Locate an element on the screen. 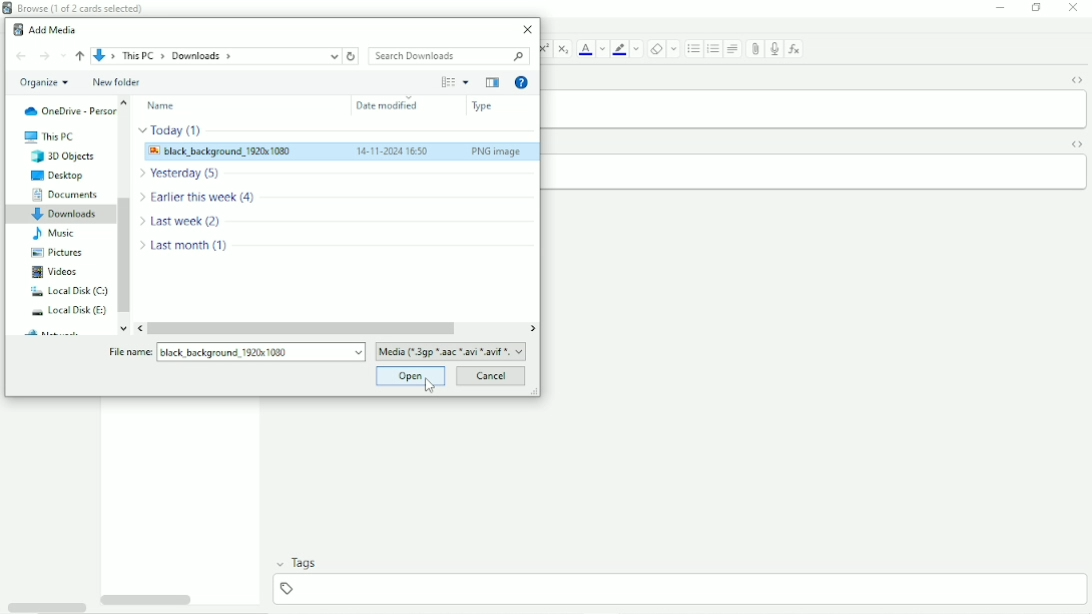 Image resolution: width=1092 pixels, height=614 pixels. Show the previous pane is located at coordinates (494, 83).